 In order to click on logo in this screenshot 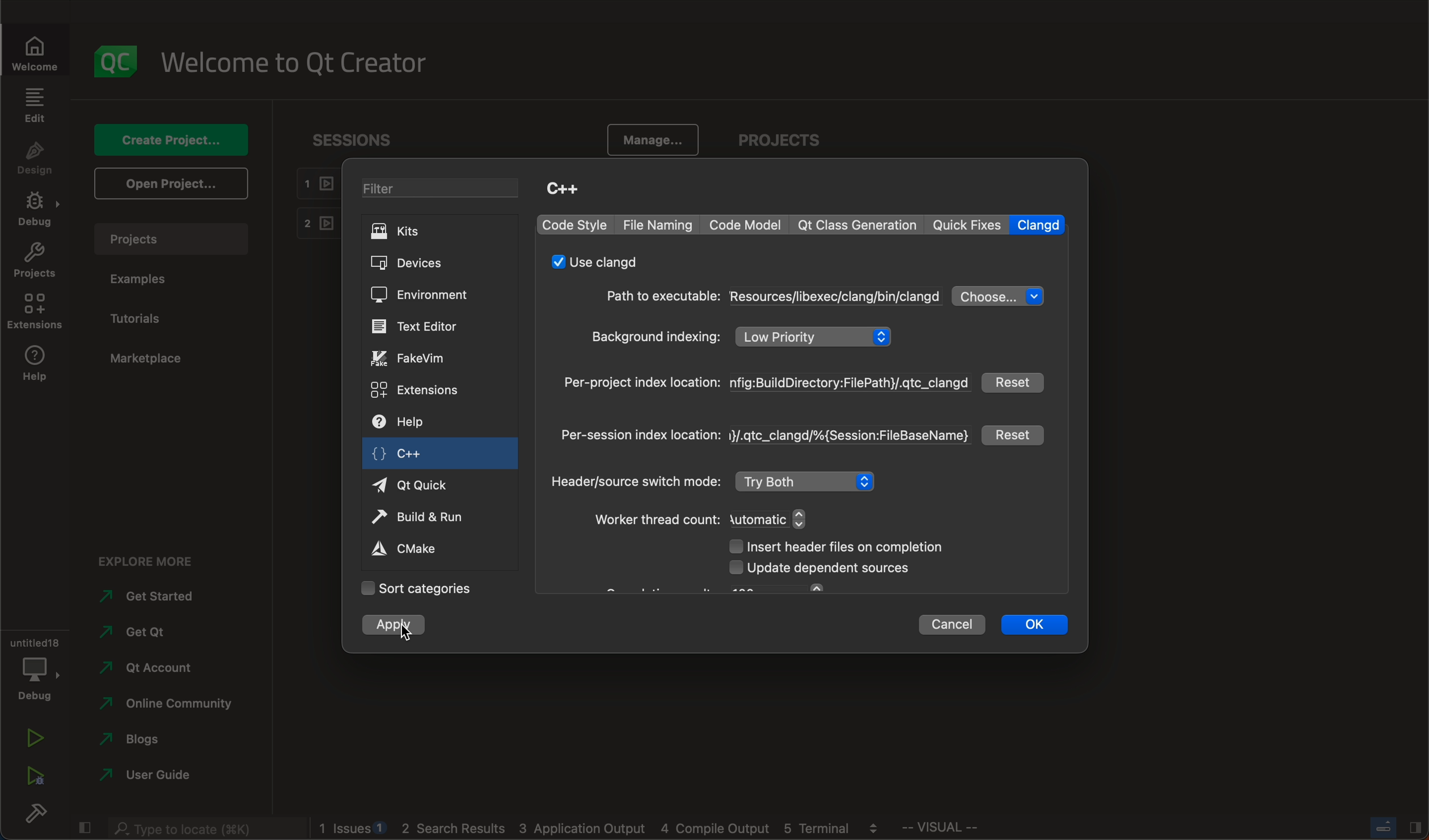, I will do `click(113, 58)`.